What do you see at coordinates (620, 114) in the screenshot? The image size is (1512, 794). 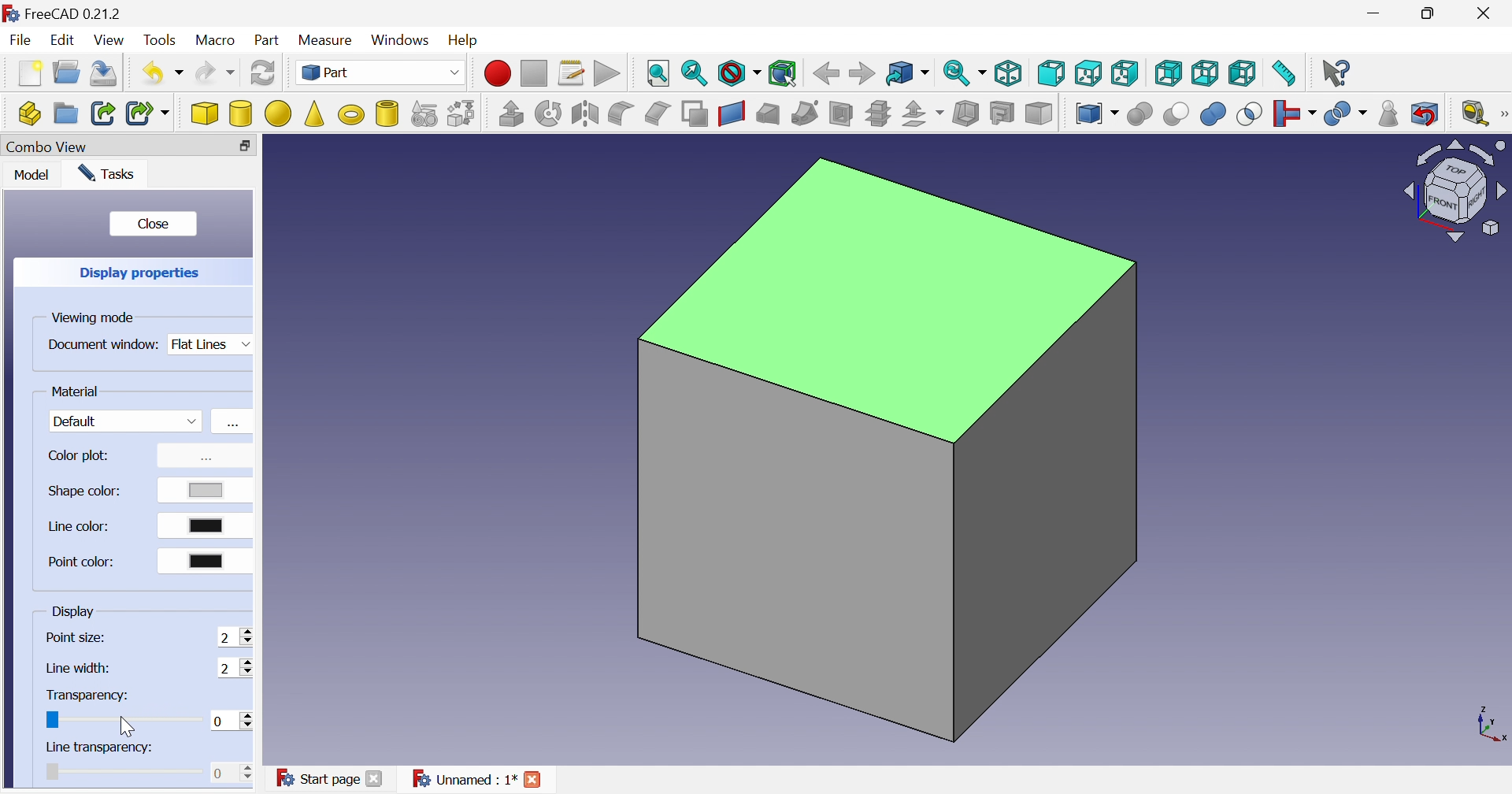 I see `Fillet` at bounding box center [620, 114].